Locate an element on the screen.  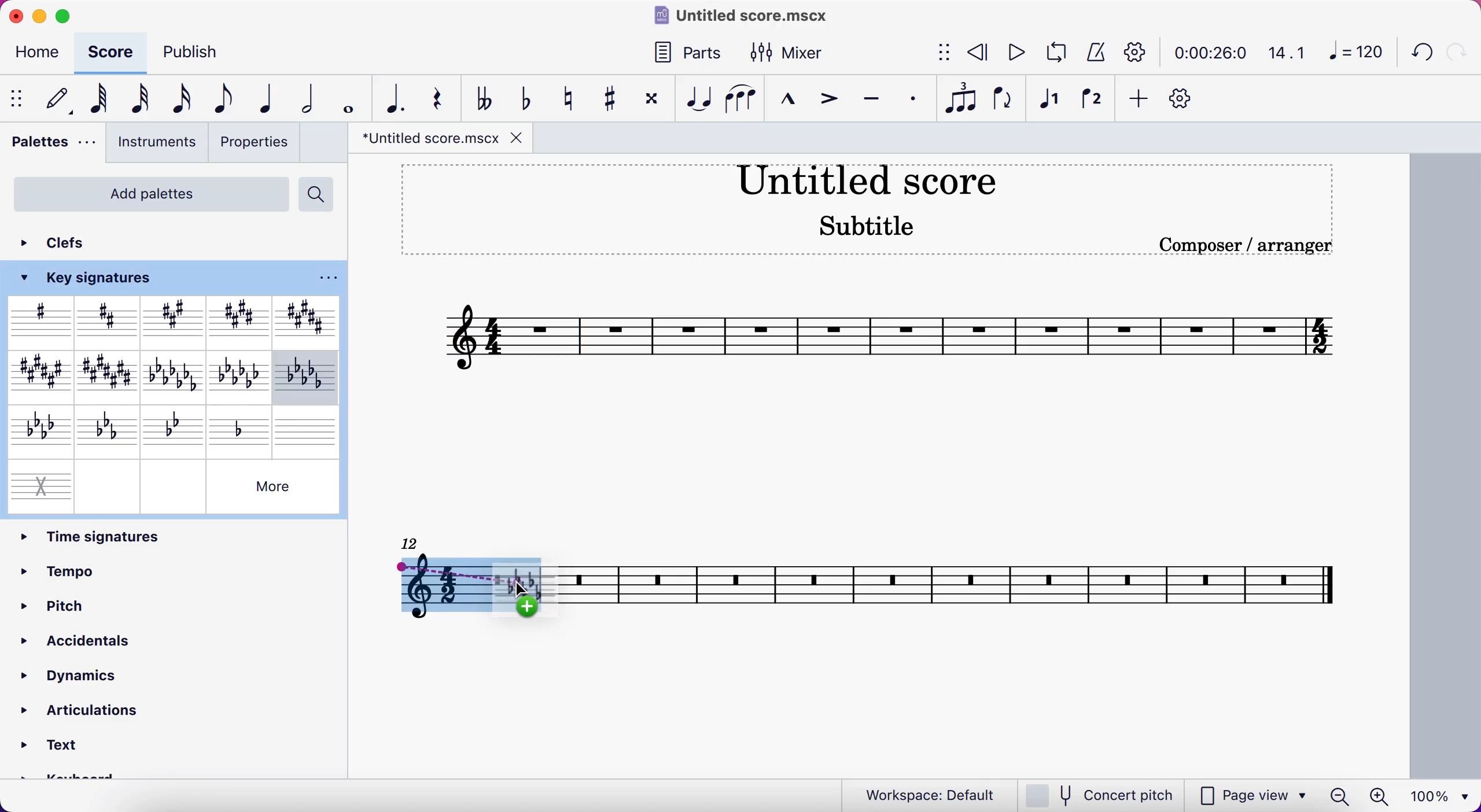
D major is located at coordinates (107, 320).